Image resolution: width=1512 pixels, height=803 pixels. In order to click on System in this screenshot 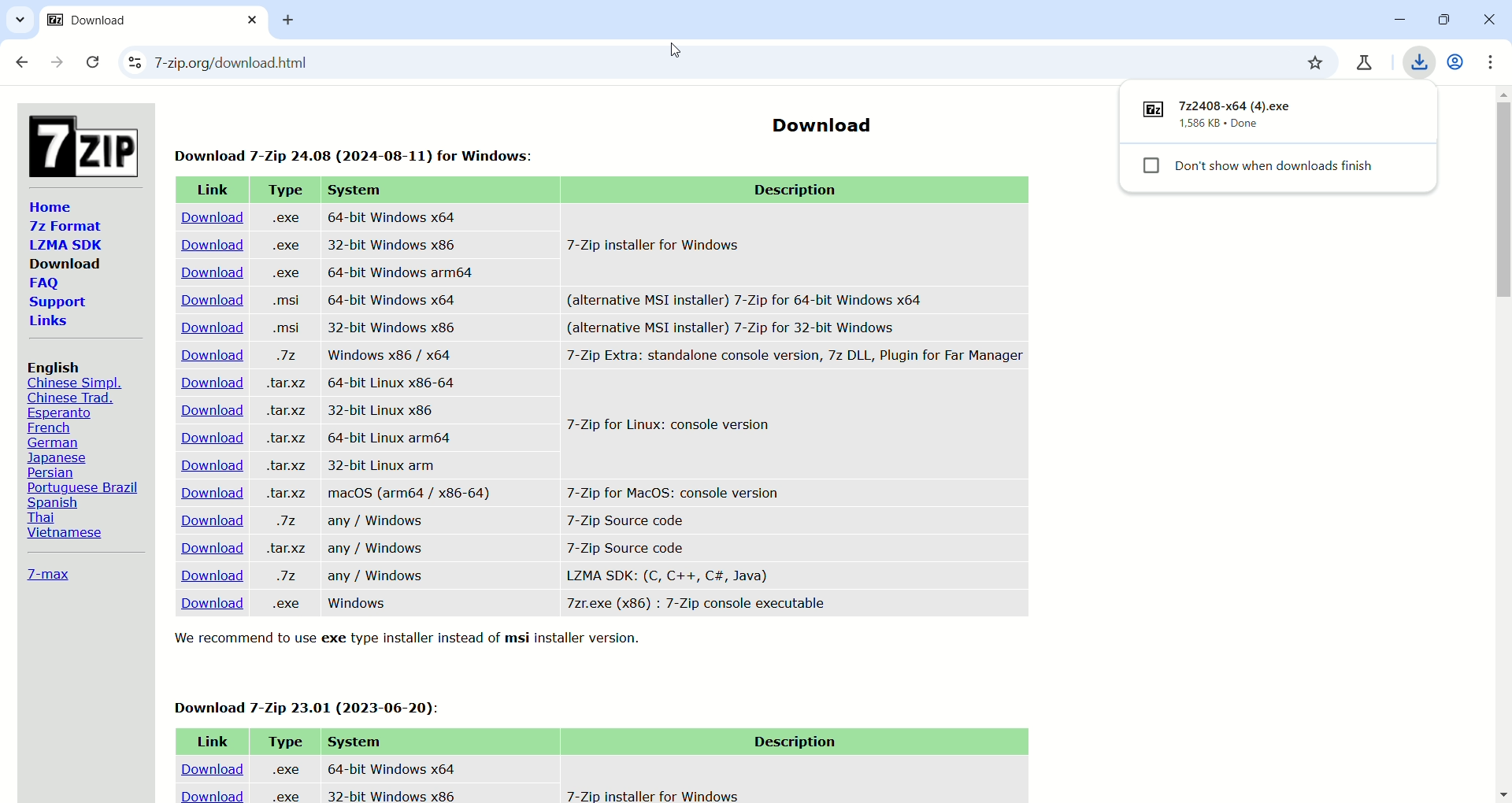, I will do `click(358, 191)`.